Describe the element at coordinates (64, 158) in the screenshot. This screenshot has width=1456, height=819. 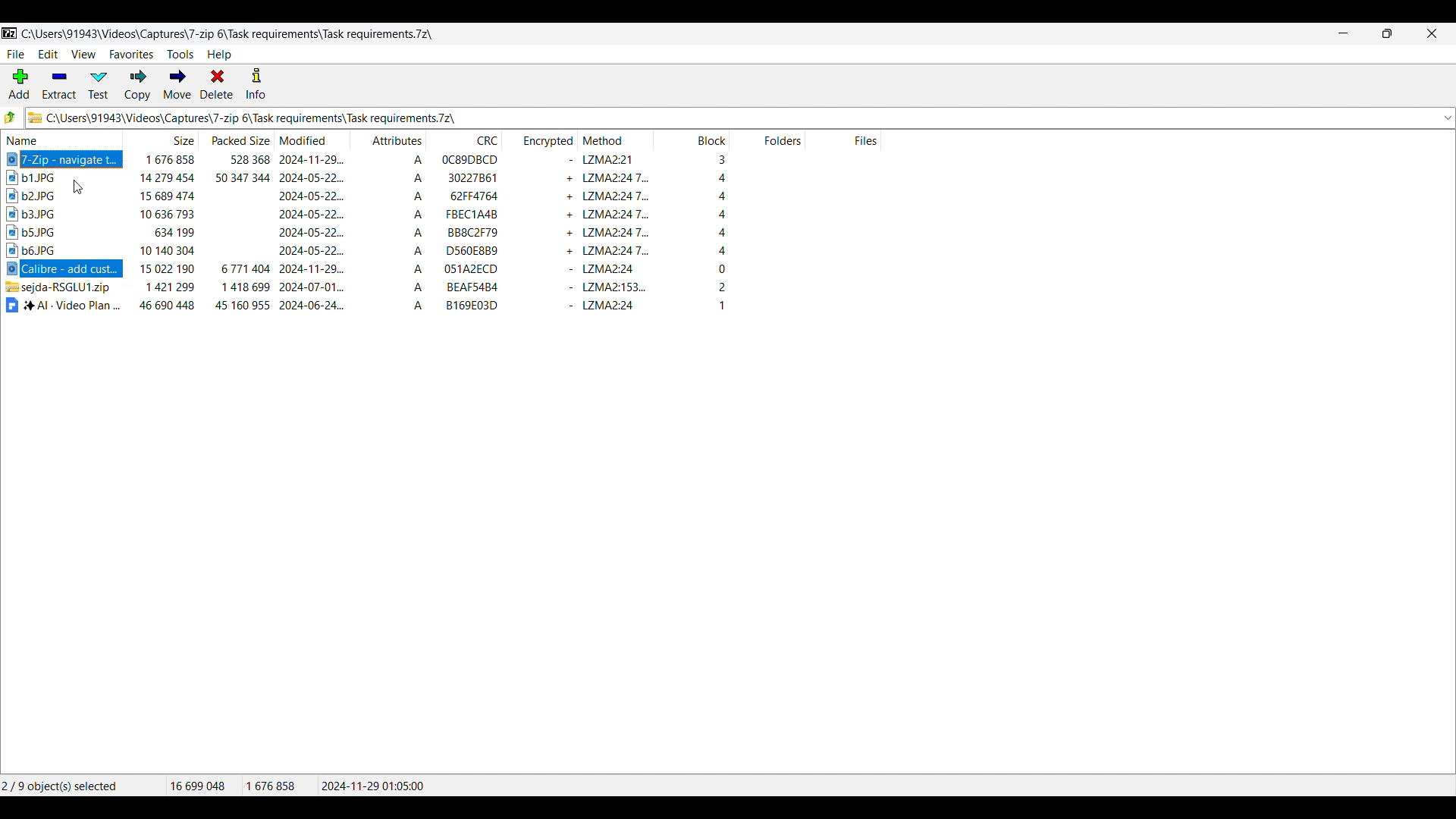
I see `Specific file type highlighted due to selection` at that location.